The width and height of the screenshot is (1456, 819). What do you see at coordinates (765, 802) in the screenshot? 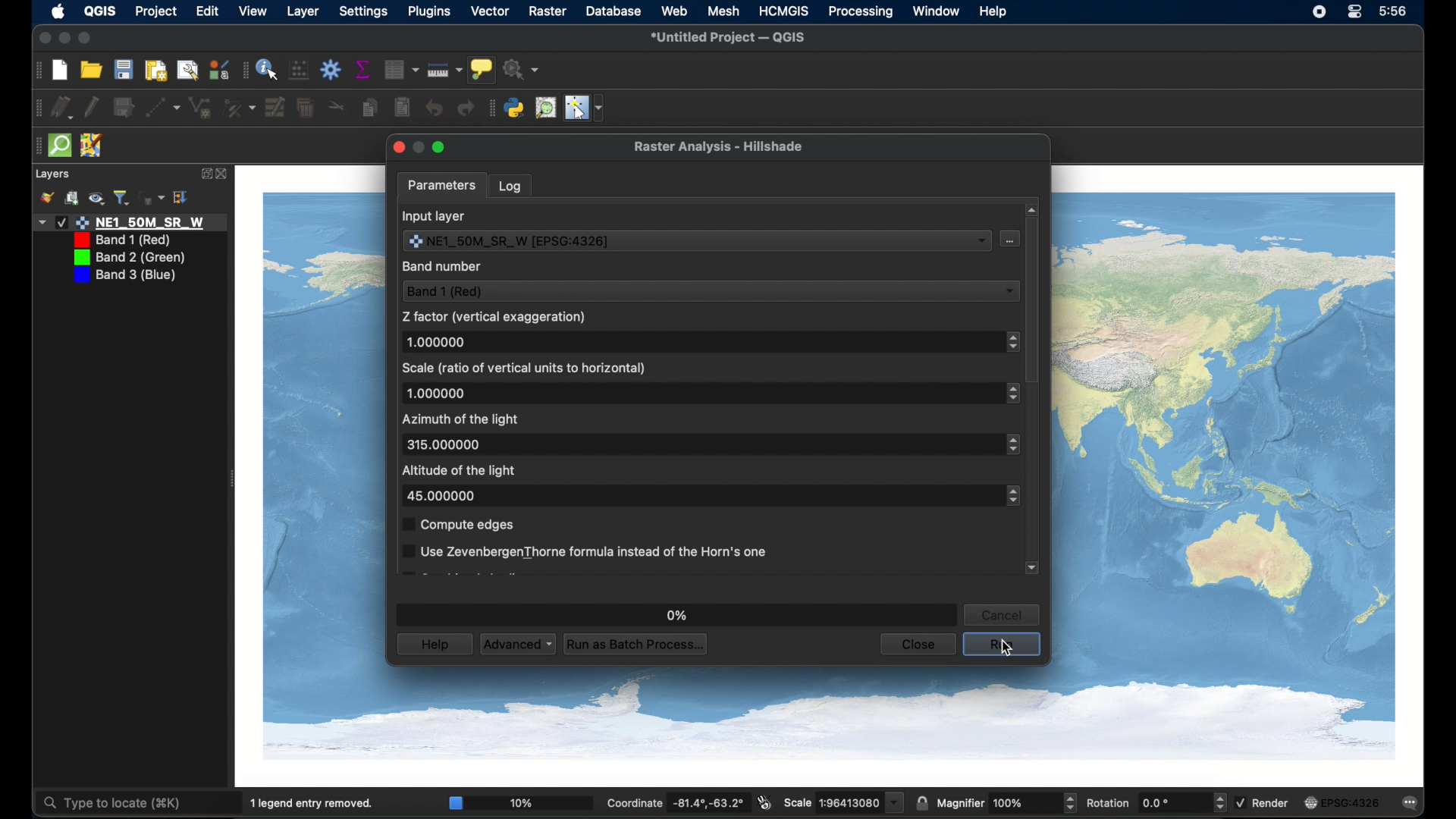
I see `toggle extents and mouse display position` at bounding box center [765, 802].